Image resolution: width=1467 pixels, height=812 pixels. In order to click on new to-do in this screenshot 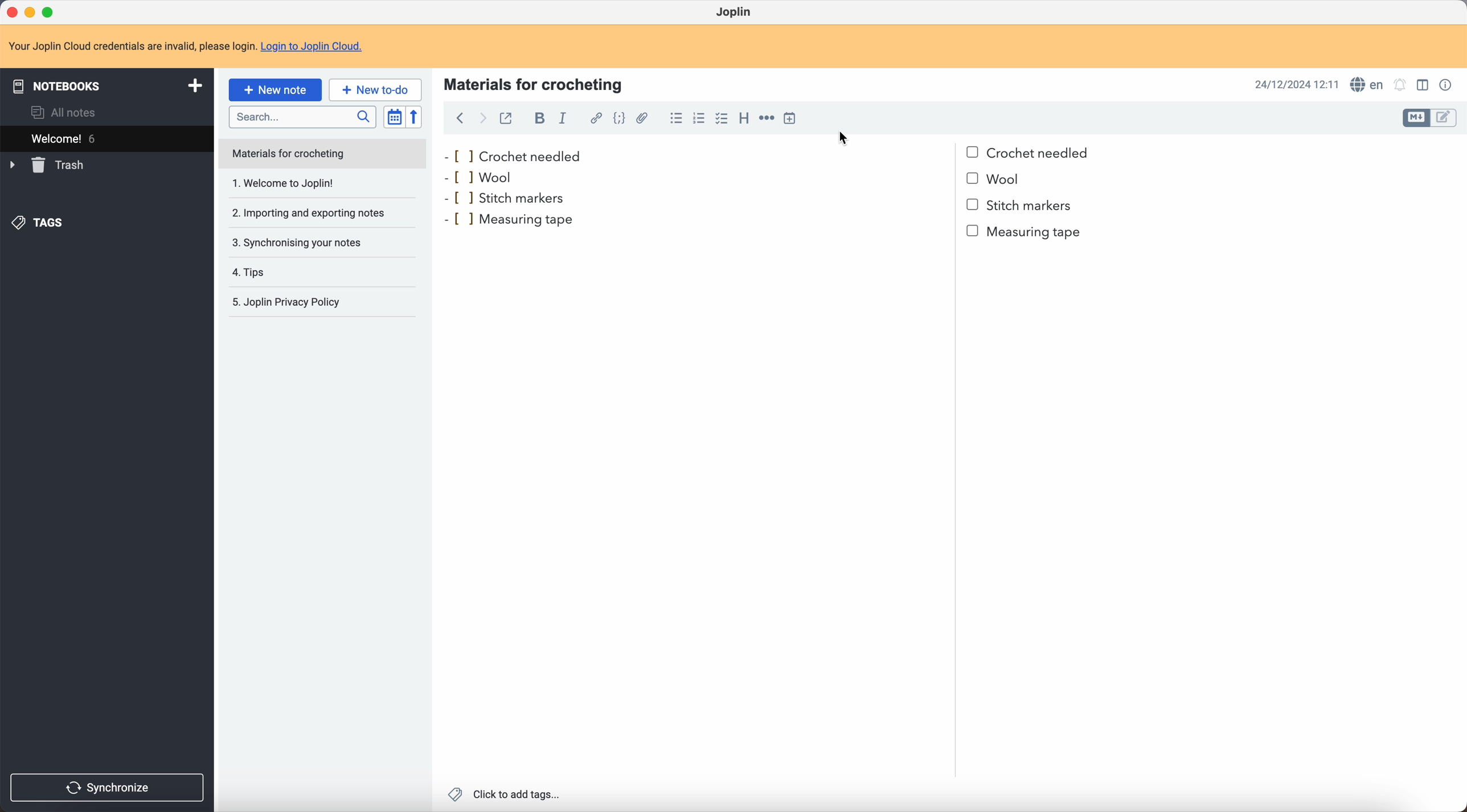, I will do `click(375, 89)`.